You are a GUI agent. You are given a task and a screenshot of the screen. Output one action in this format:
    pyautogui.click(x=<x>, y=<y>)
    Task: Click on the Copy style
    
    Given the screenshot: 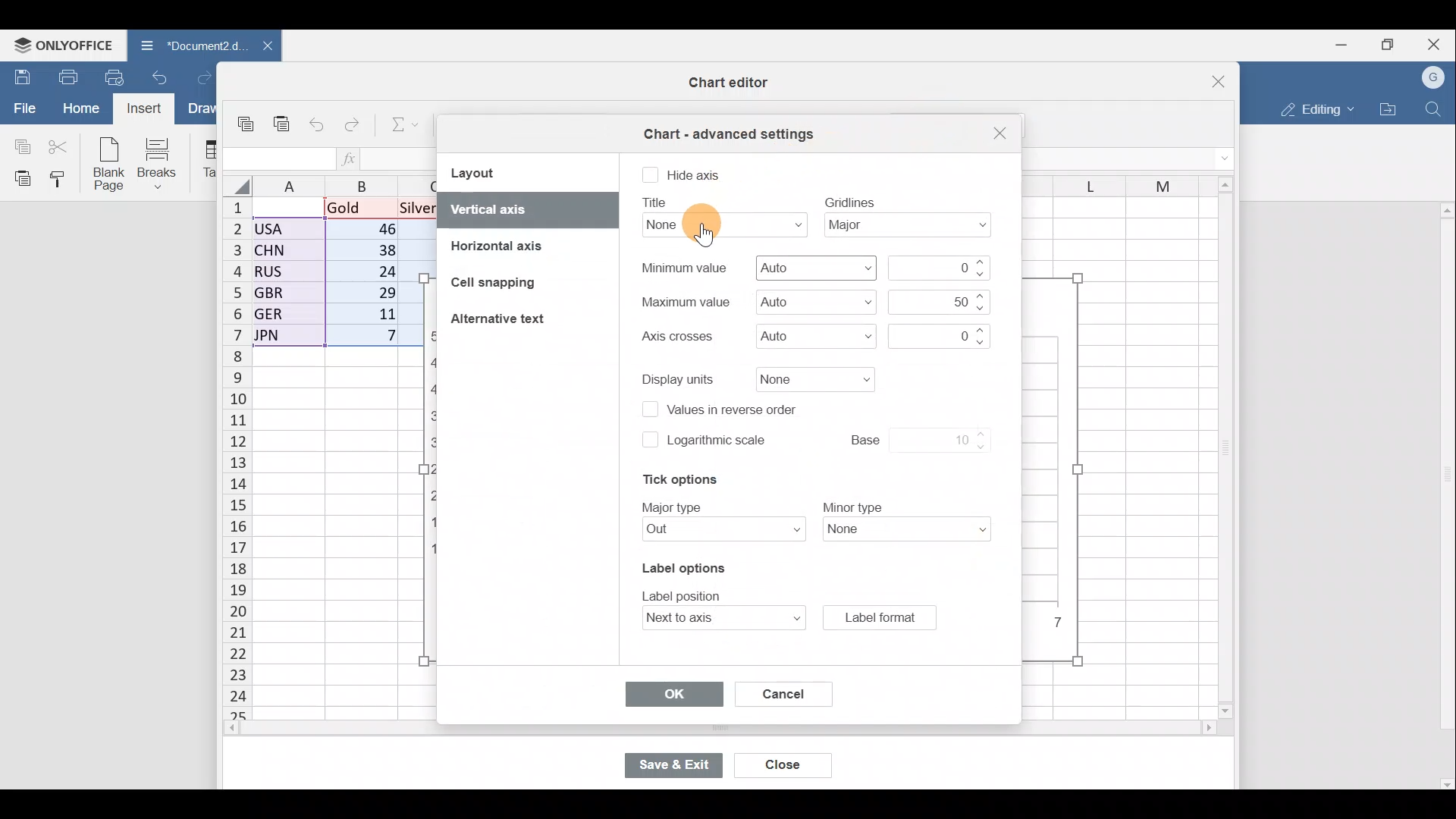 What is the action you would take?
    pyautogui.click(x=62, y=180)
    